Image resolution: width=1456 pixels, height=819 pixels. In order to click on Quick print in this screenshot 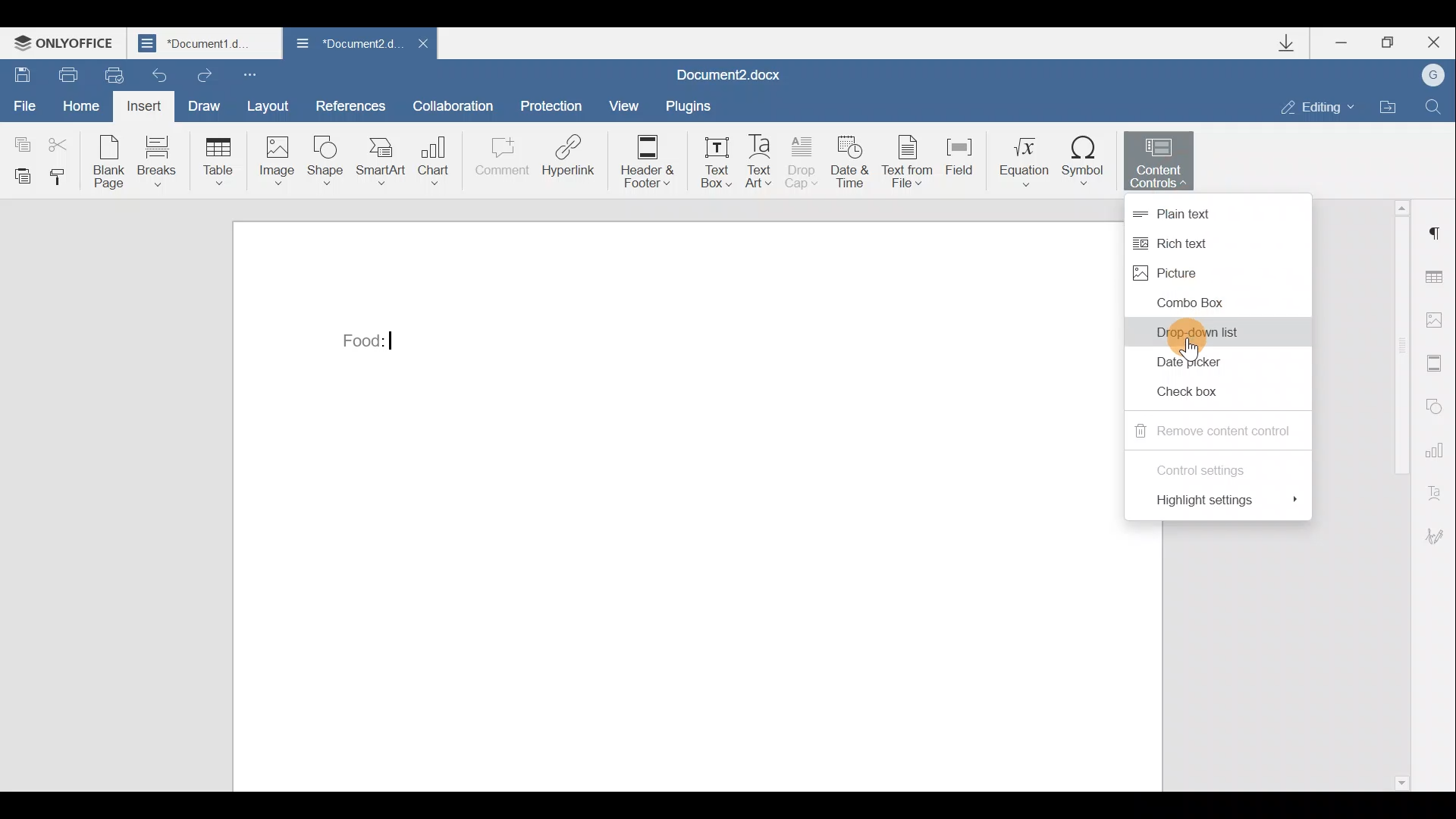, I will do `click(112, 76)`.